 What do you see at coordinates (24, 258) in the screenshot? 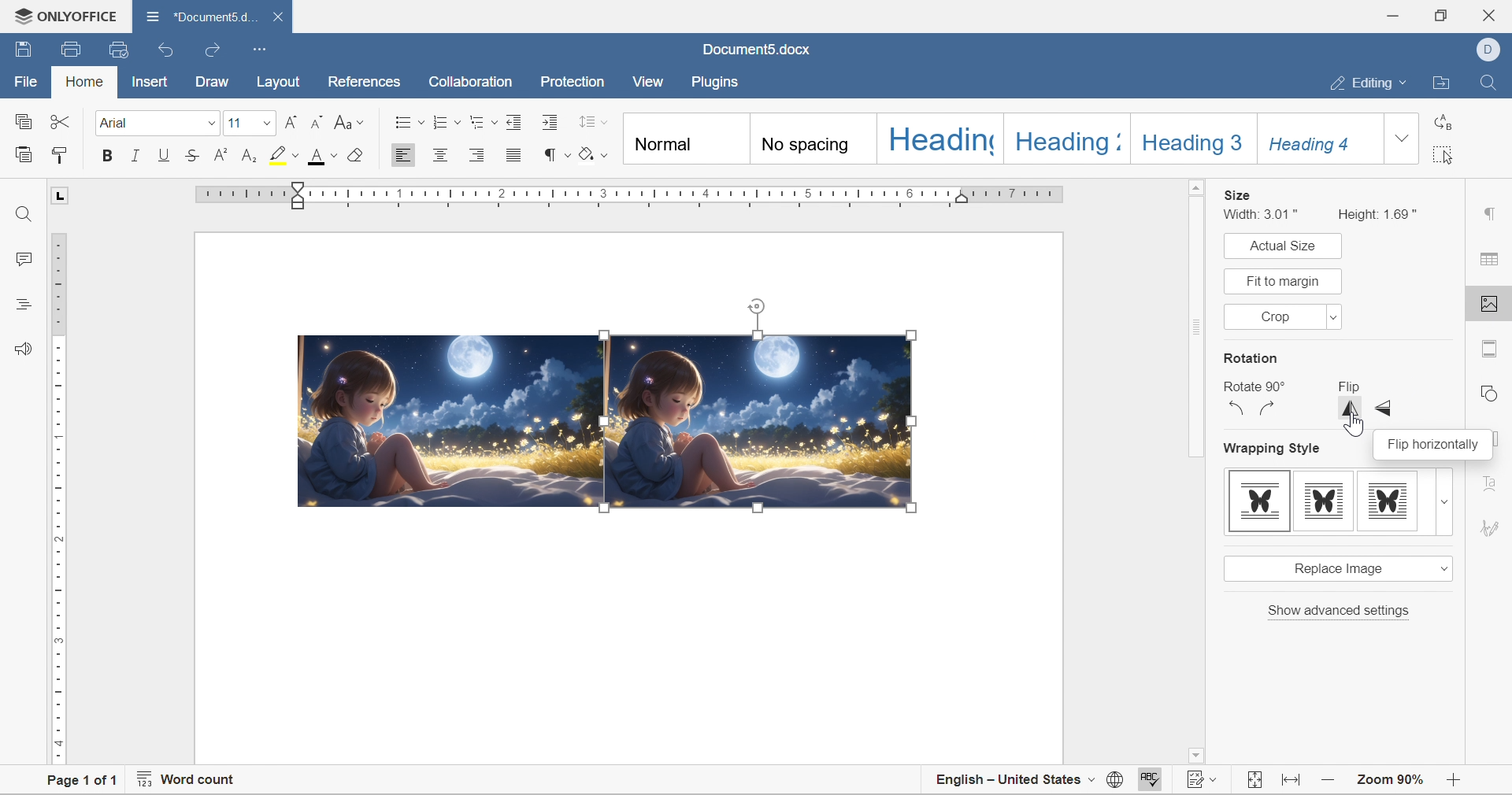
I see `comments` at bounding box center [24, 258].